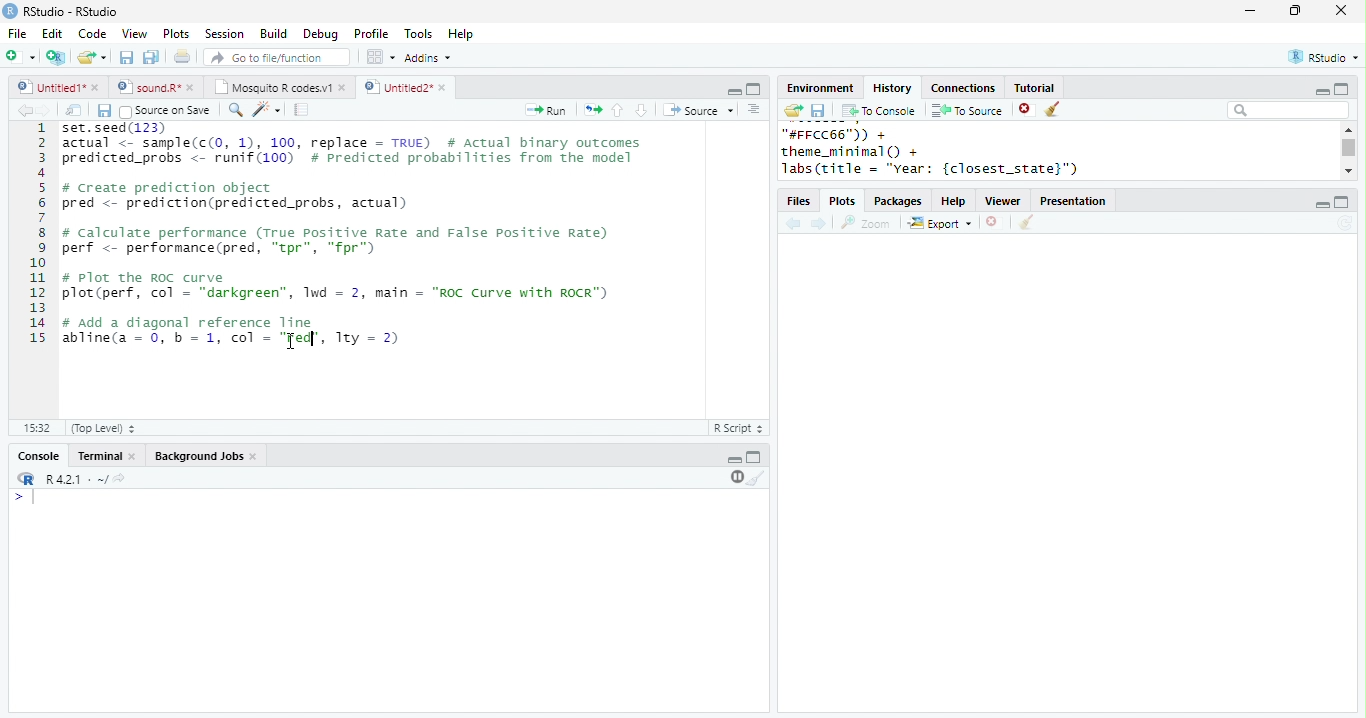 The width and height of the screenshot is (1366, 718). What do you see at coordinates (819, 88) in the screenshot?
I see `Environment` at bounding box center [819, 88].